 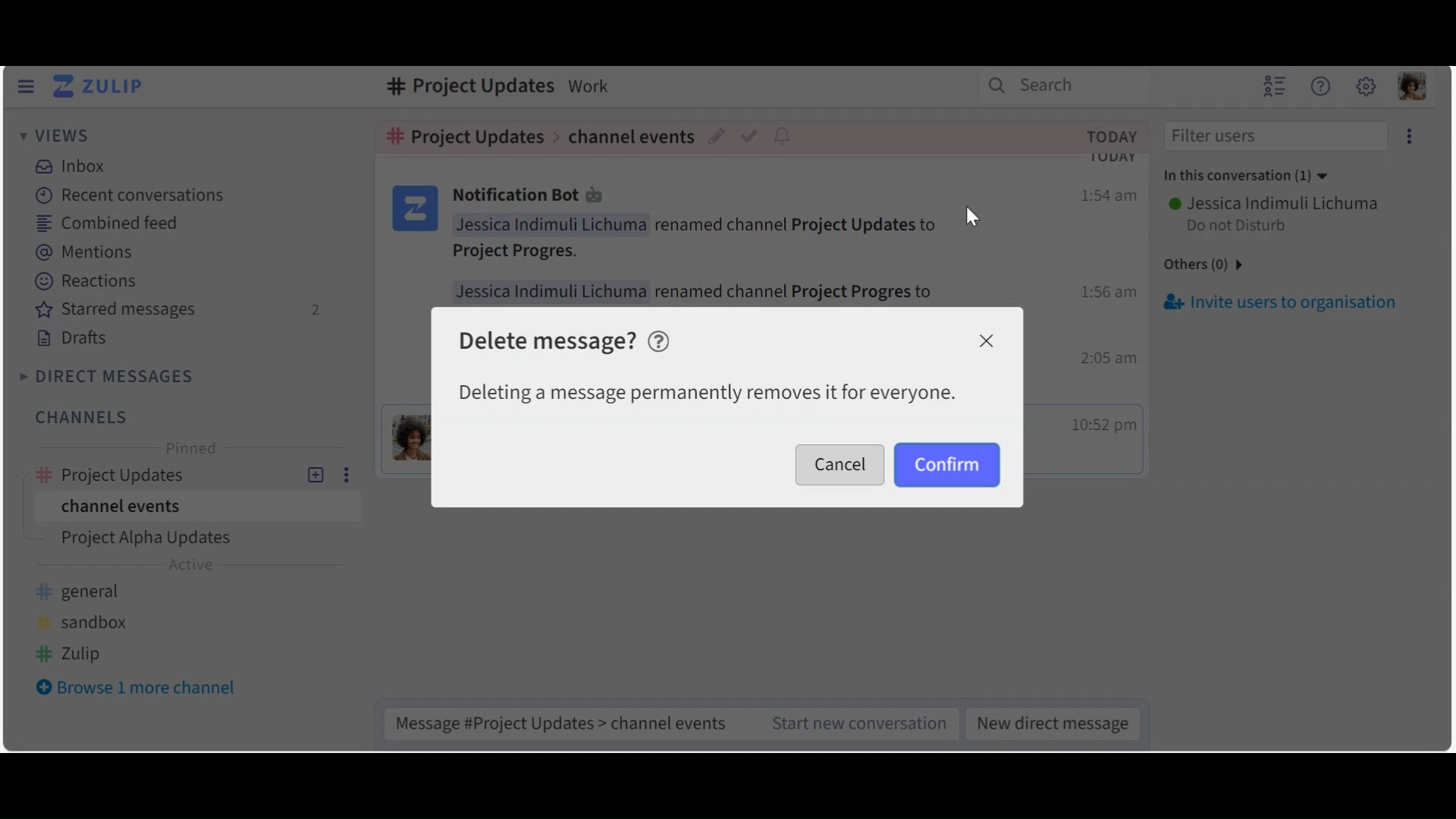 What do you see at coordinates (947, 463) in the screenshot?
I see `Confirm` at bounding box center [947, 463].